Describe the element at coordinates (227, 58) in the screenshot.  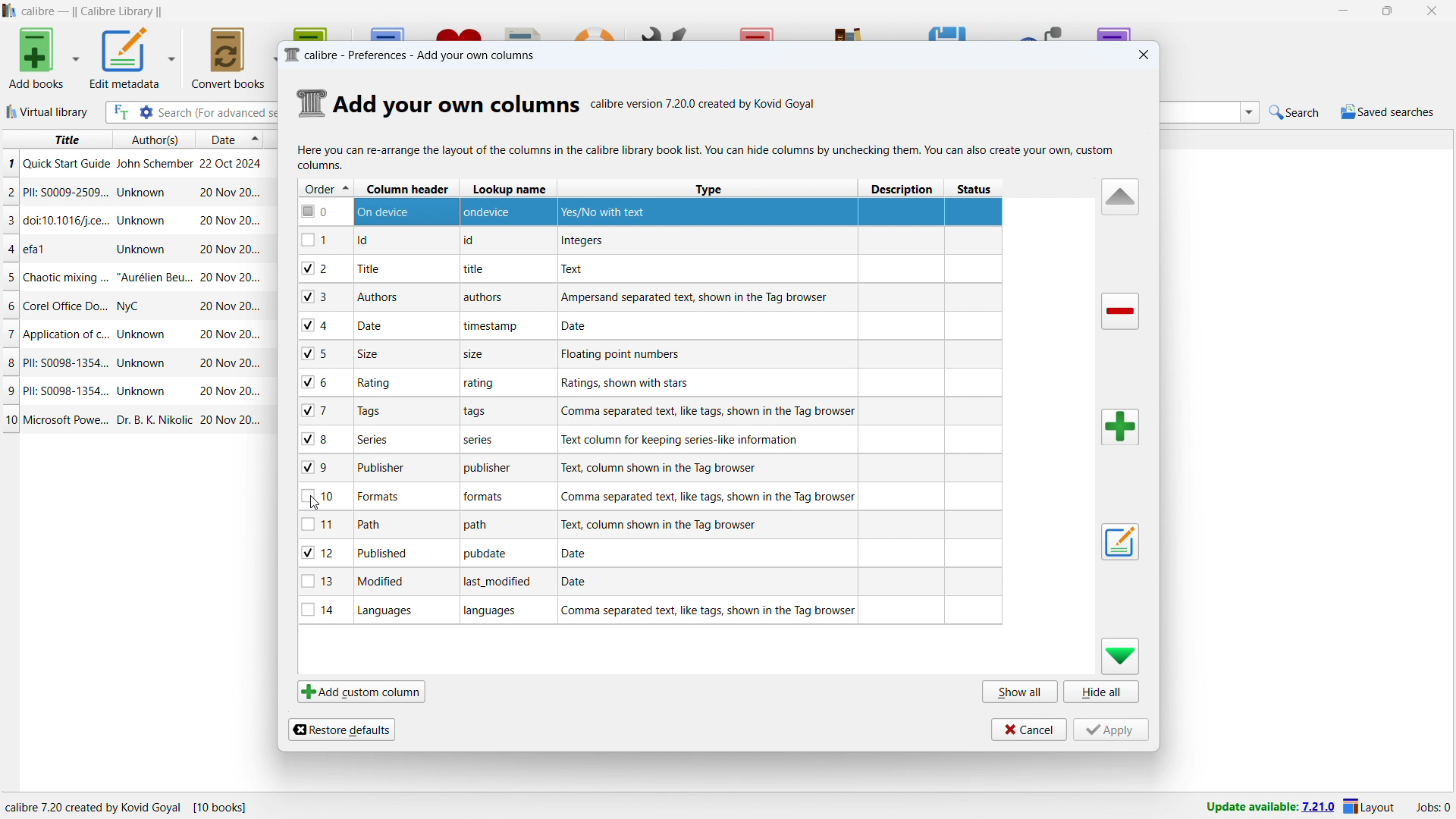
I see `convert books` at that location.